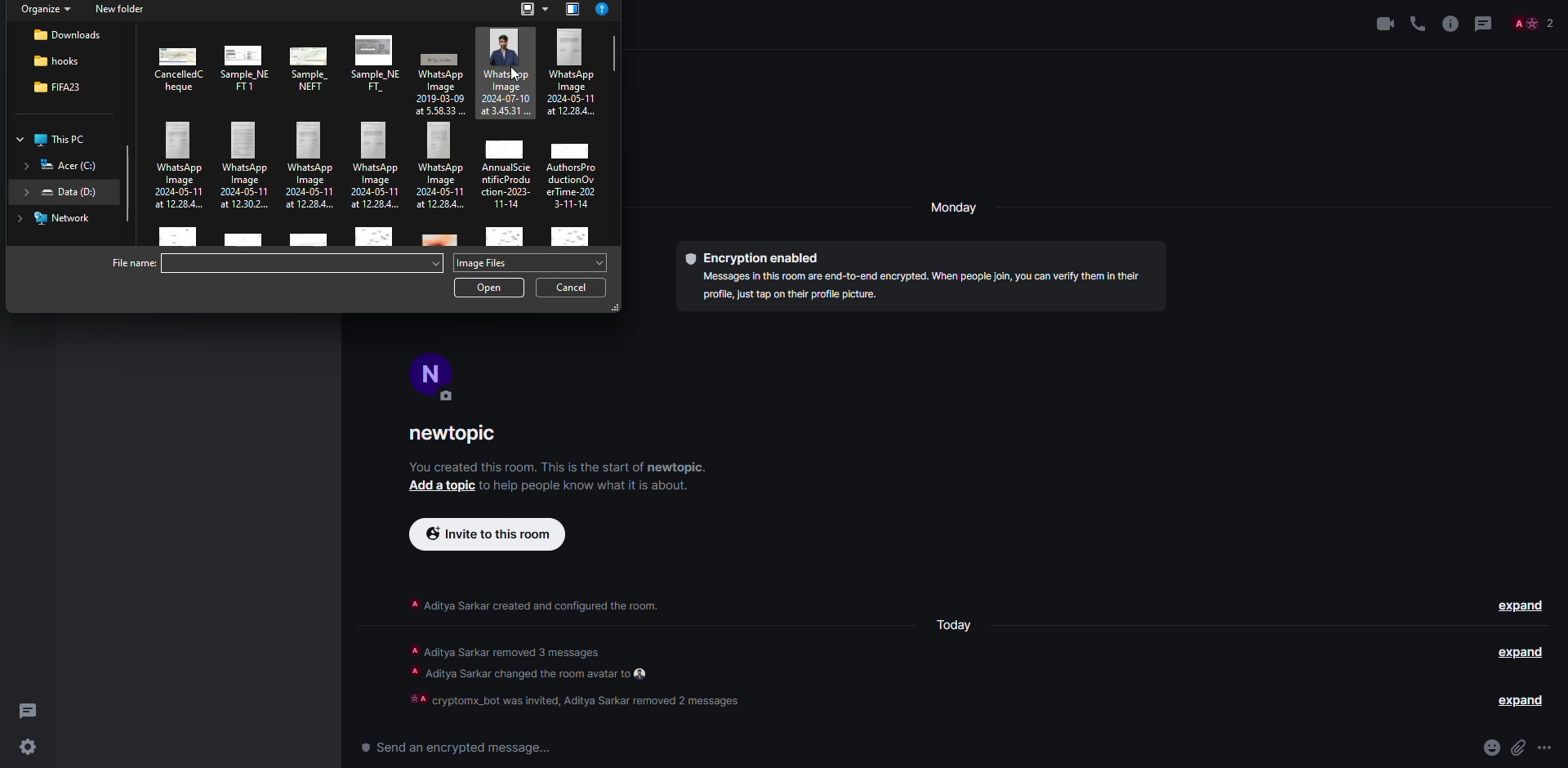 The width and height of the screenshot is (1568, 768). Describe the element at coordinates (1534, 22) in the screenshot. I see `people` at that location.